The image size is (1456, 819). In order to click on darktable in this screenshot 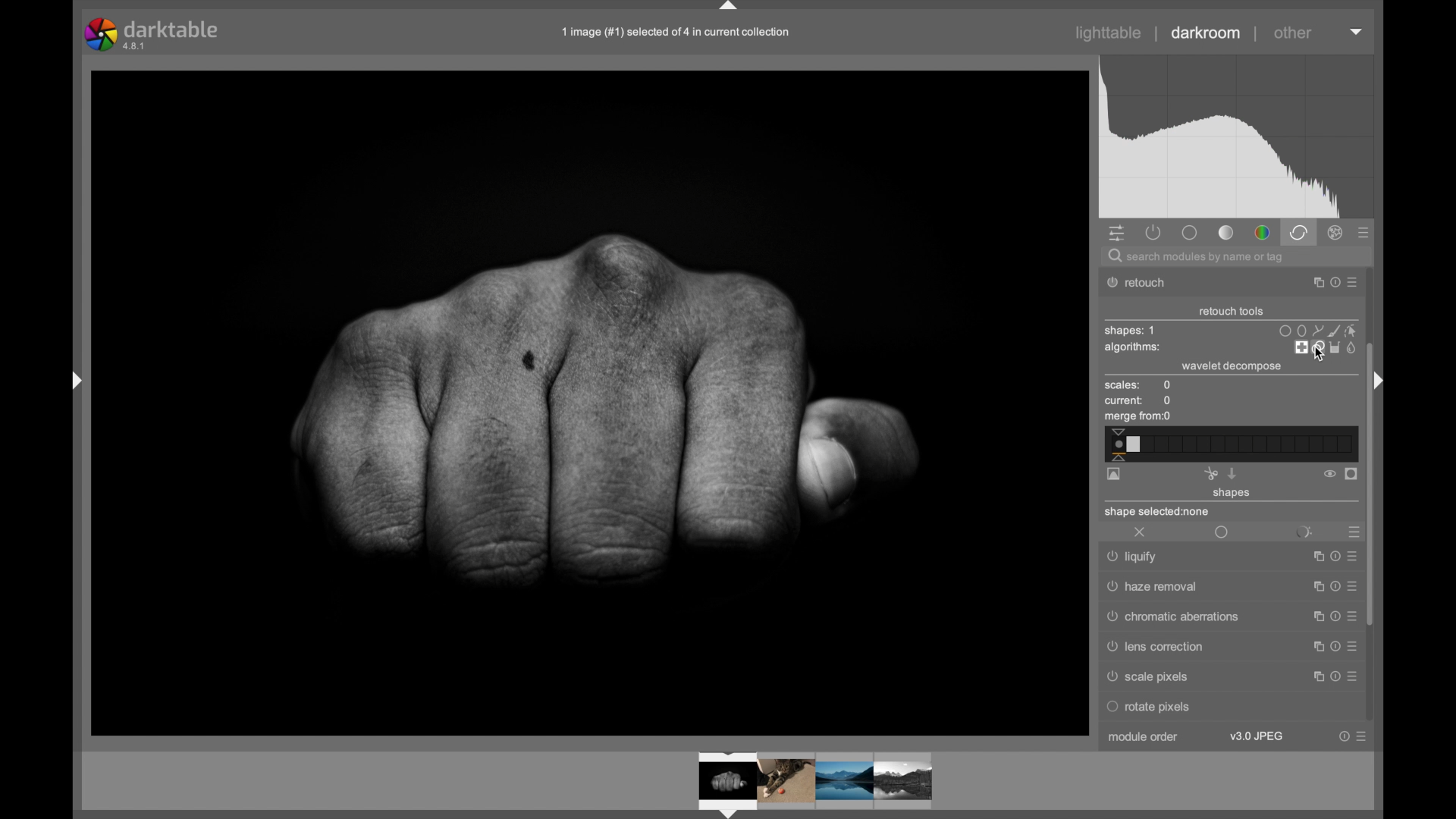, I will do `click(153, 34)`.